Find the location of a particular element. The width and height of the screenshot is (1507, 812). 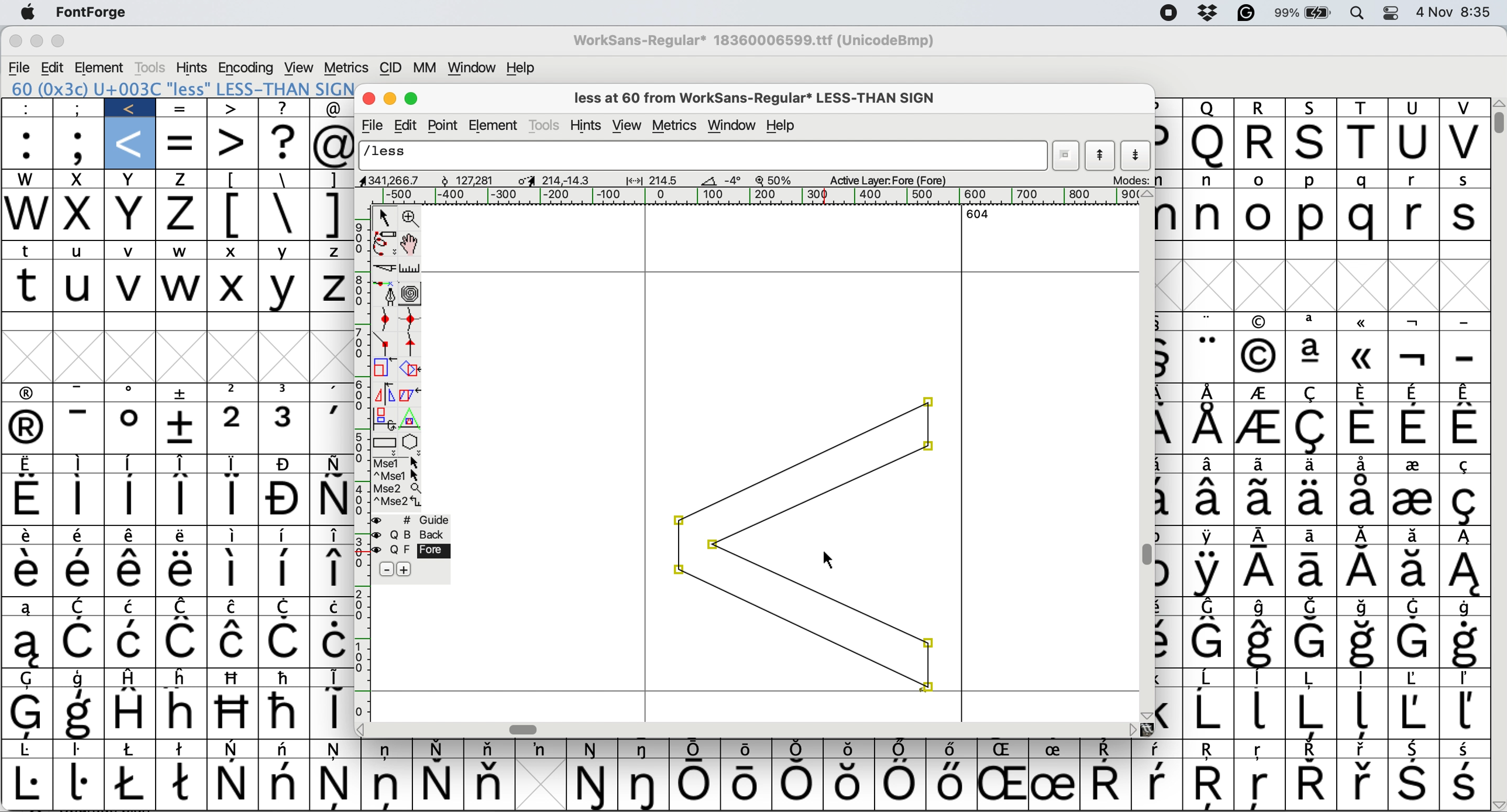

Symbol is located at coordinates (1361, 713).